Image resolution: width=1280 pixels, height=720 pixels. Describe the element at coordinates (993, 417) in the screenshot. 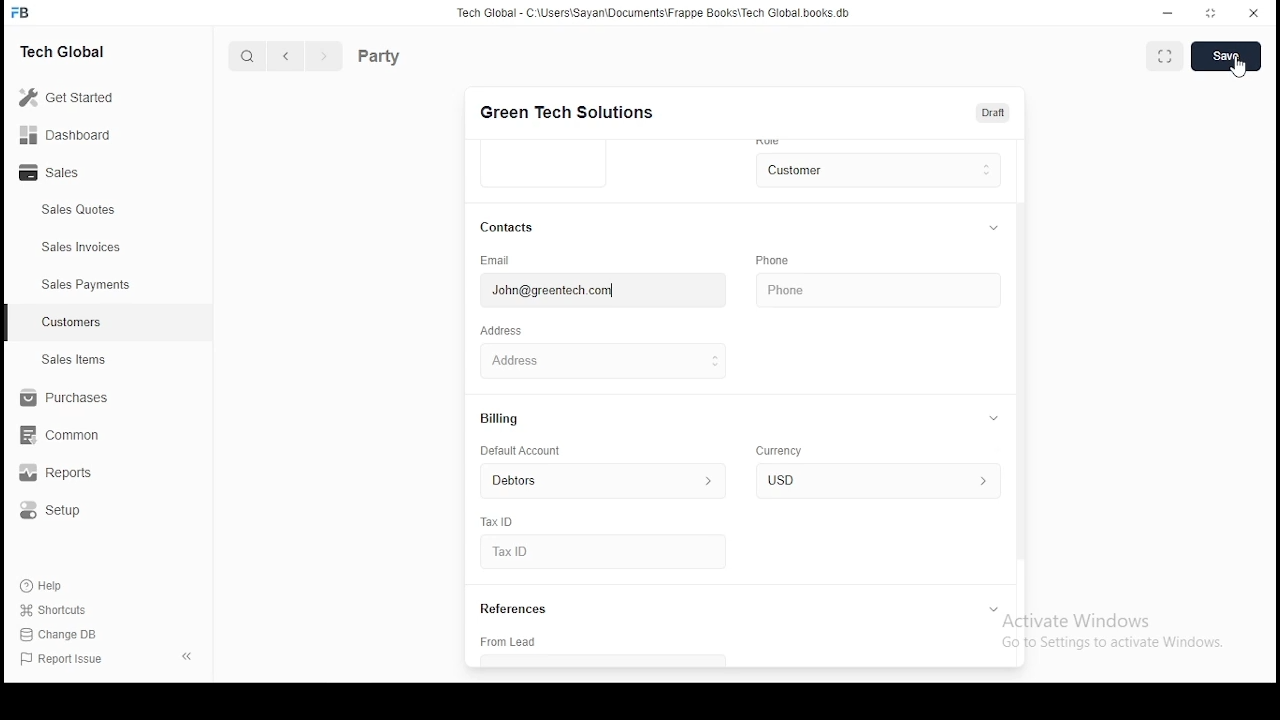

I see `collapse` at that location.